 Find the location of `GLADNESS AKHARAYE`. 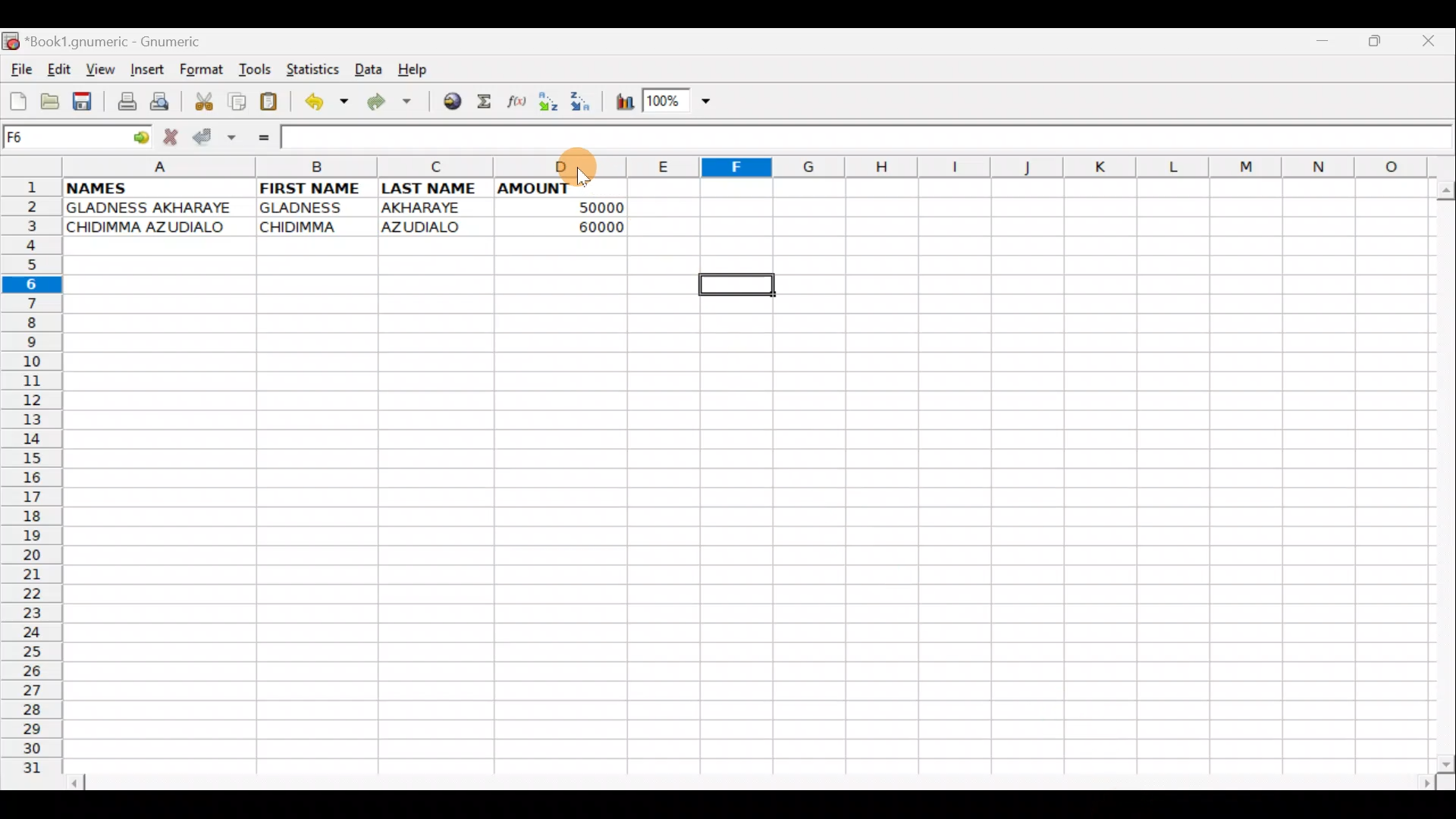

GLADNESS AKHARAYE is located at coordinates (155, 207).